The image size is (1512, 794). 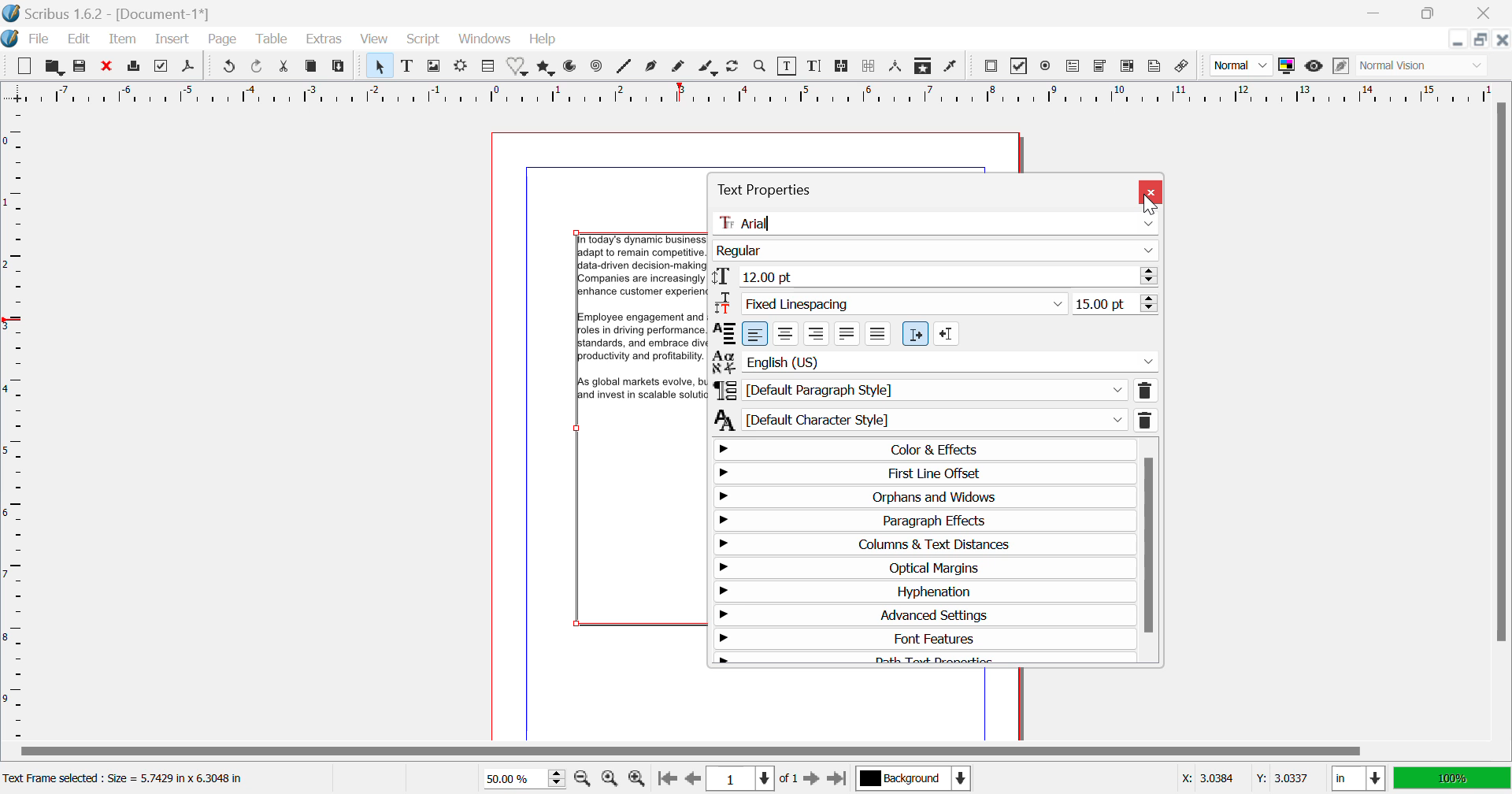 What do you see at coordinates (760, 68) in the screenshot?
I see `Zoom` at bounding box center [760, 68].